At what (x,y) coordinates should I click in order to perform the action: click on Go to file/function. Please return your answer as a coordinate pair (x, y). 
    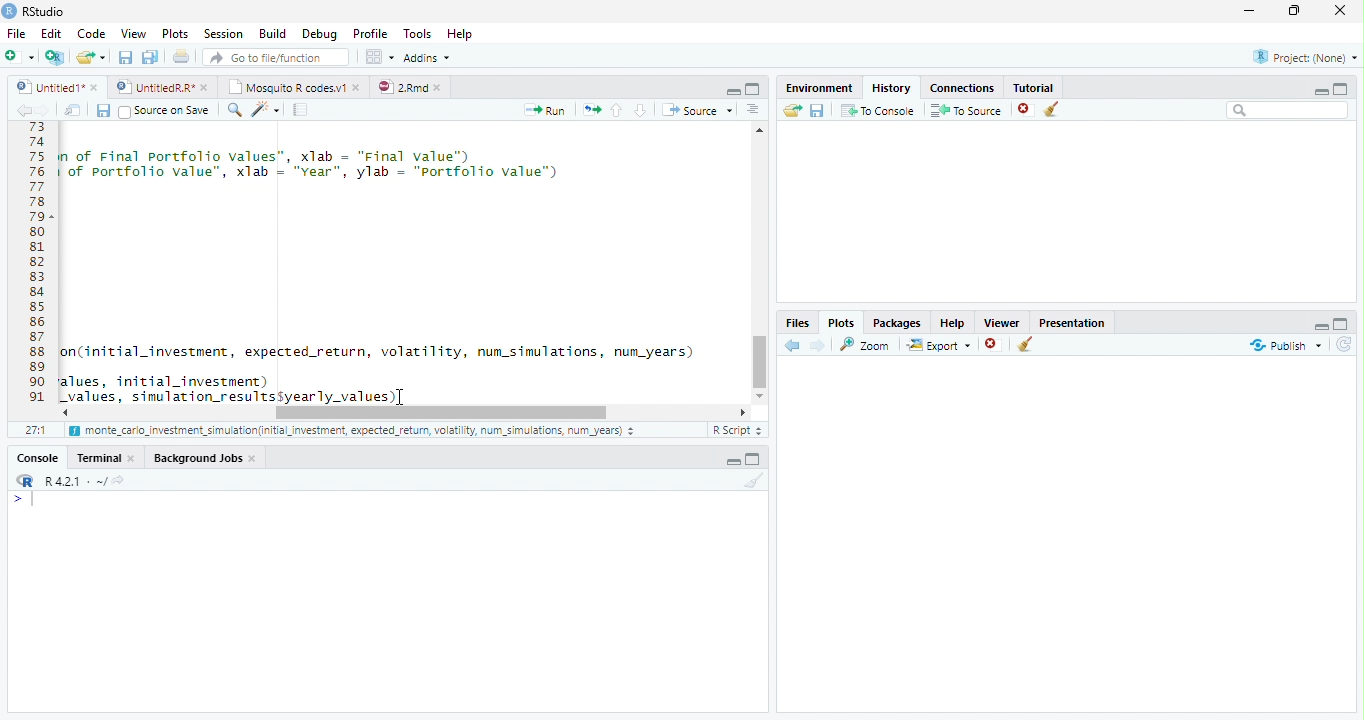
    Looking at the image, I should click on (274, 57).